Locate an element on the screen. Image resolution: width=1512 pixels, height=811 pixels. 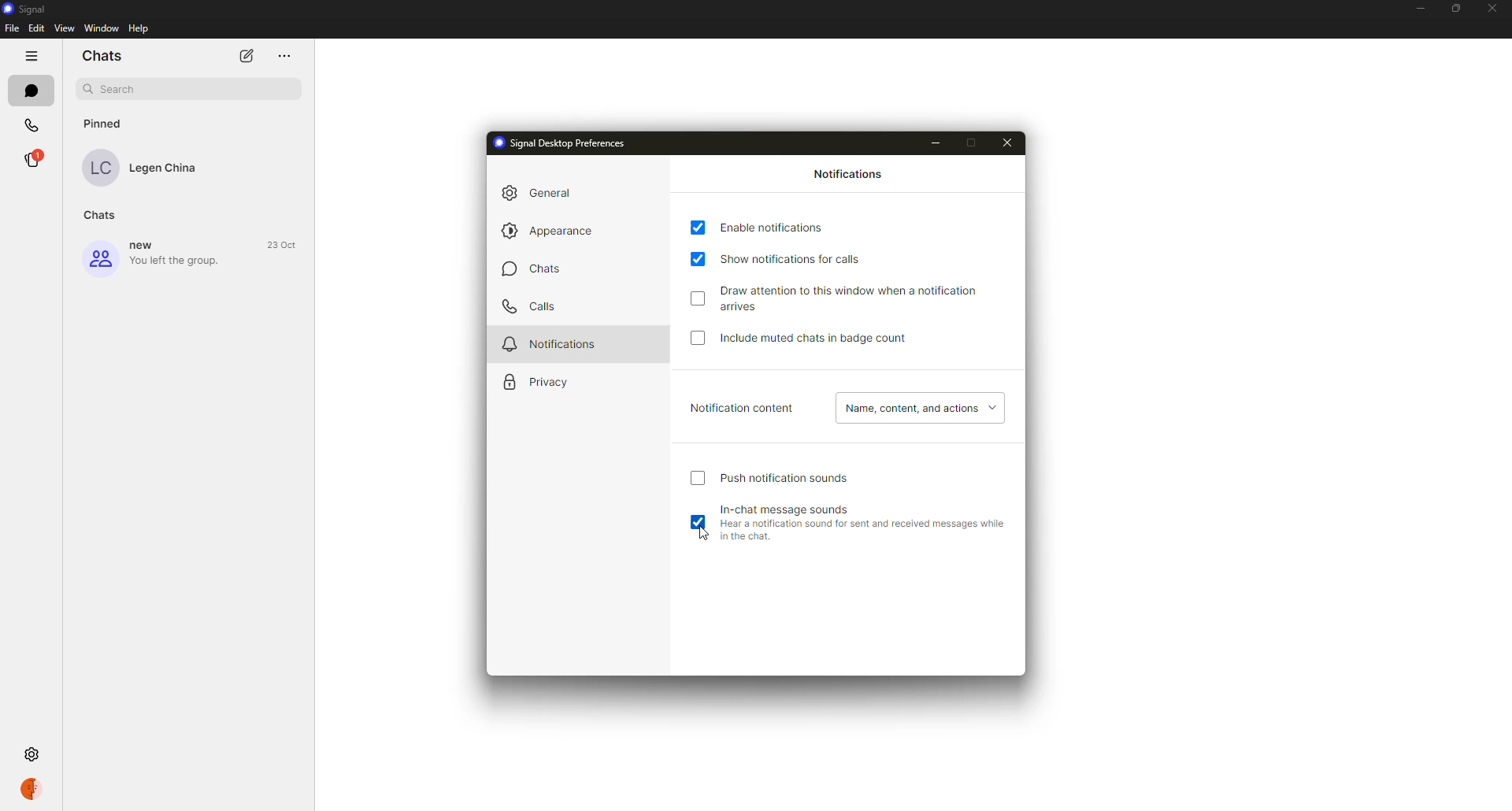
privacy is located at coordinates (546, 381).